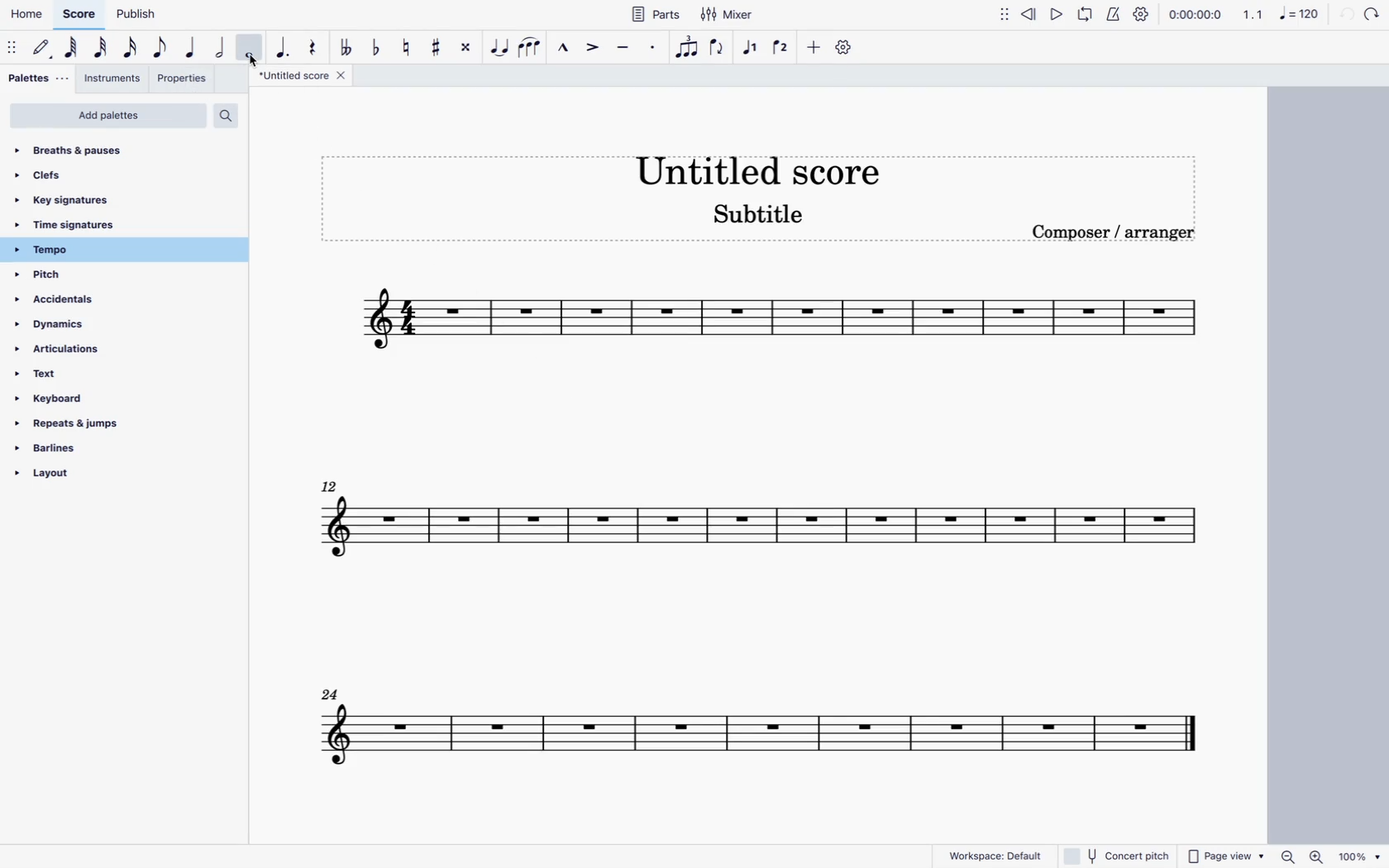 The height and width of the screenshot is (868, 1389). Describe the element at coordinates (231, 116) in the screenshot. I see `search` at that location.